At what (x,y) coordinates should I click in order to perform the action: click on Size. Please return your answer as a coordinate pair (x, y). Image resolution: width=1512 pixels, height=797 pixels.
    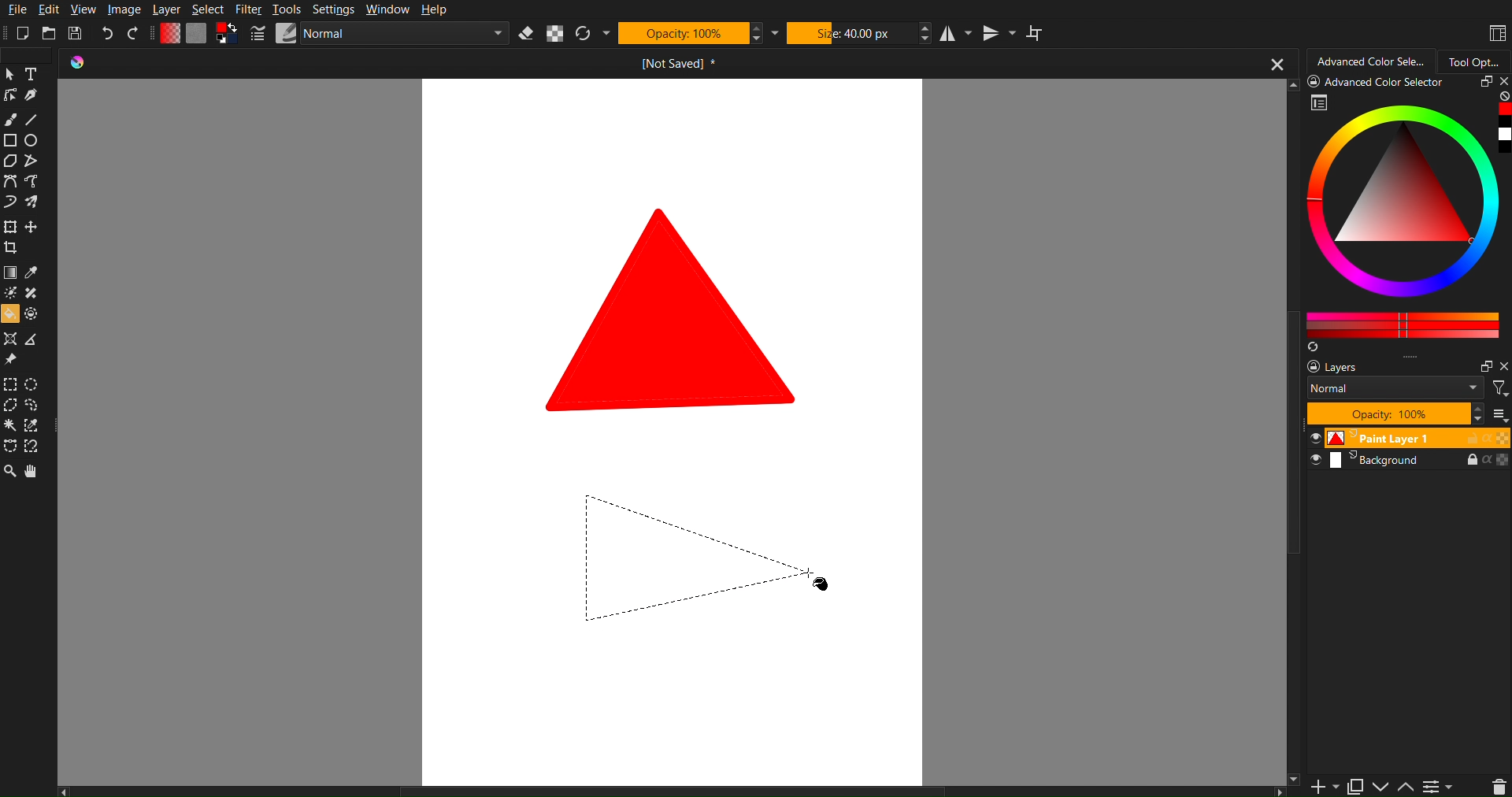
    Looking at the image, I should click on (850, 35).